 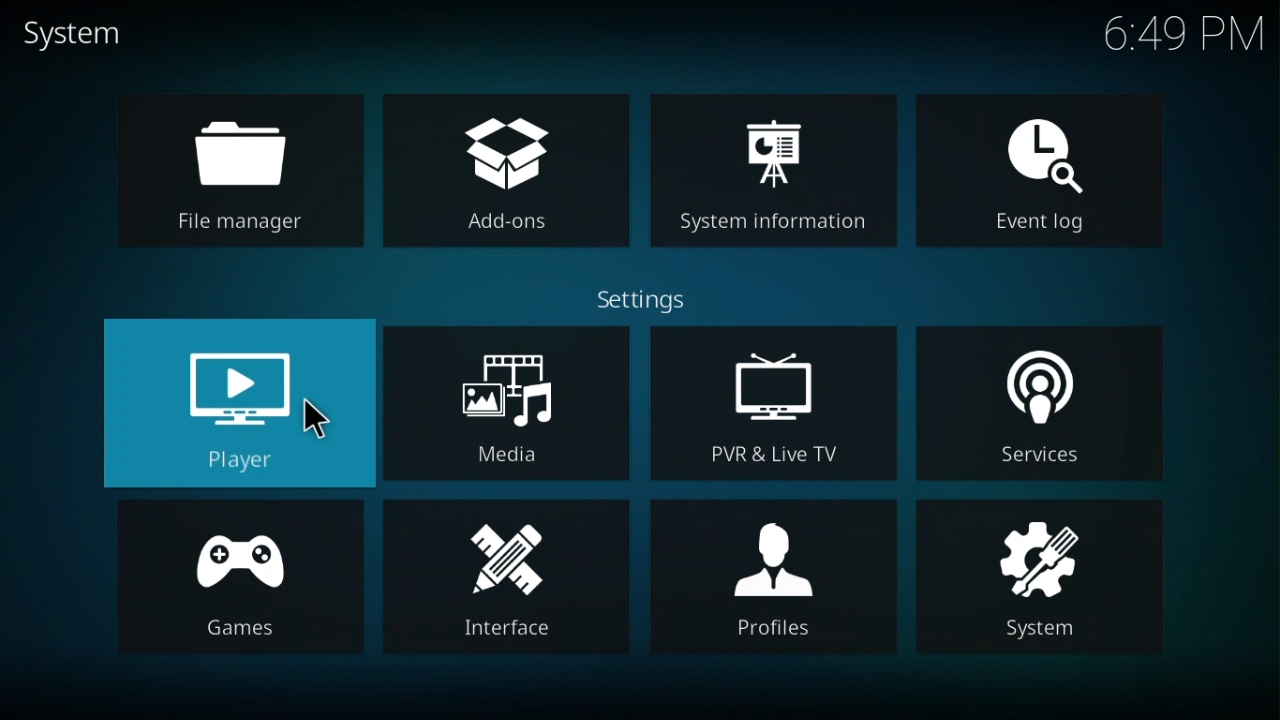 I want to click on Games, so click(x=239, y=575).